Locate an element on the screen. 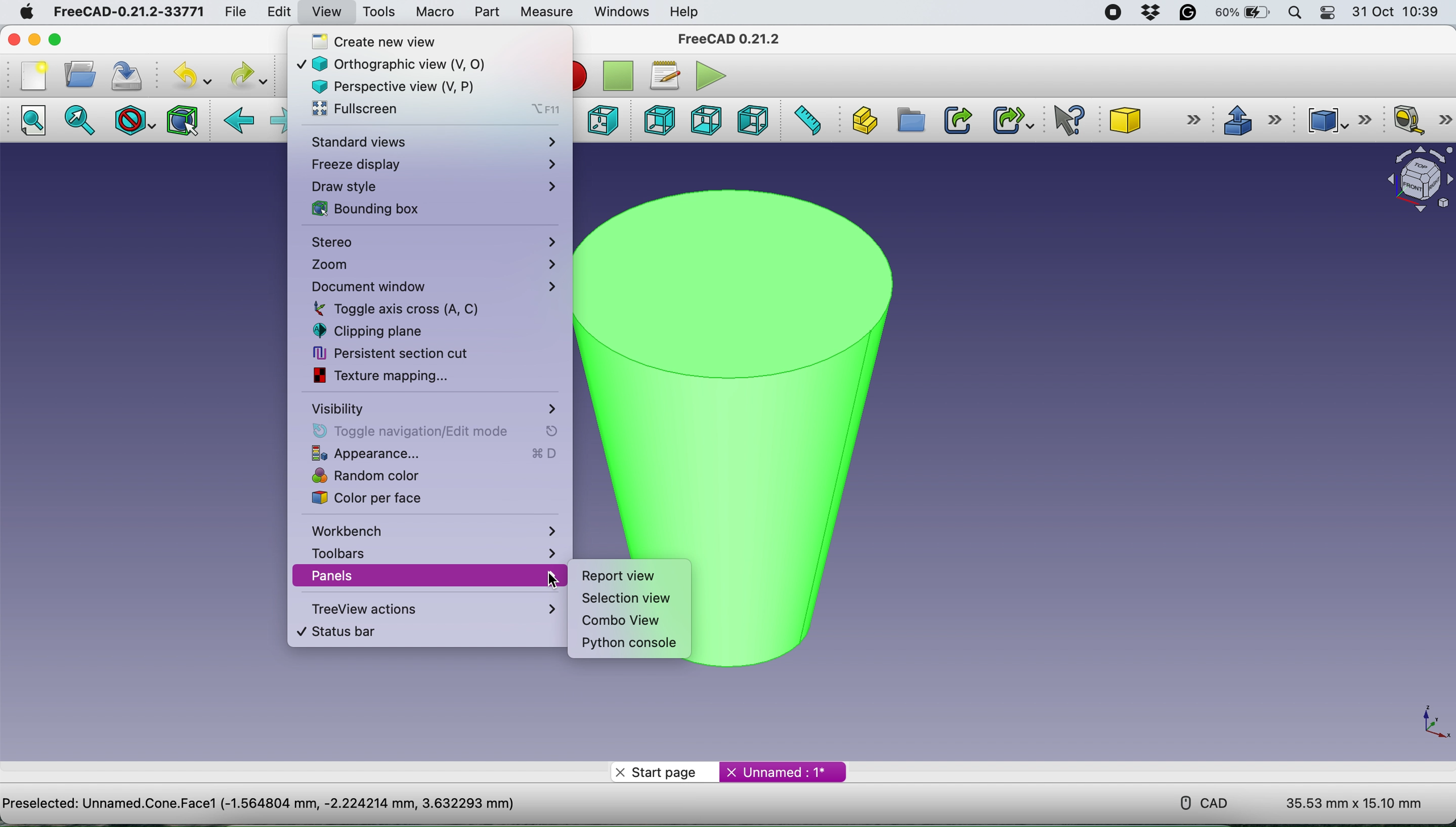  control center is located at coordinates (1329, 14).